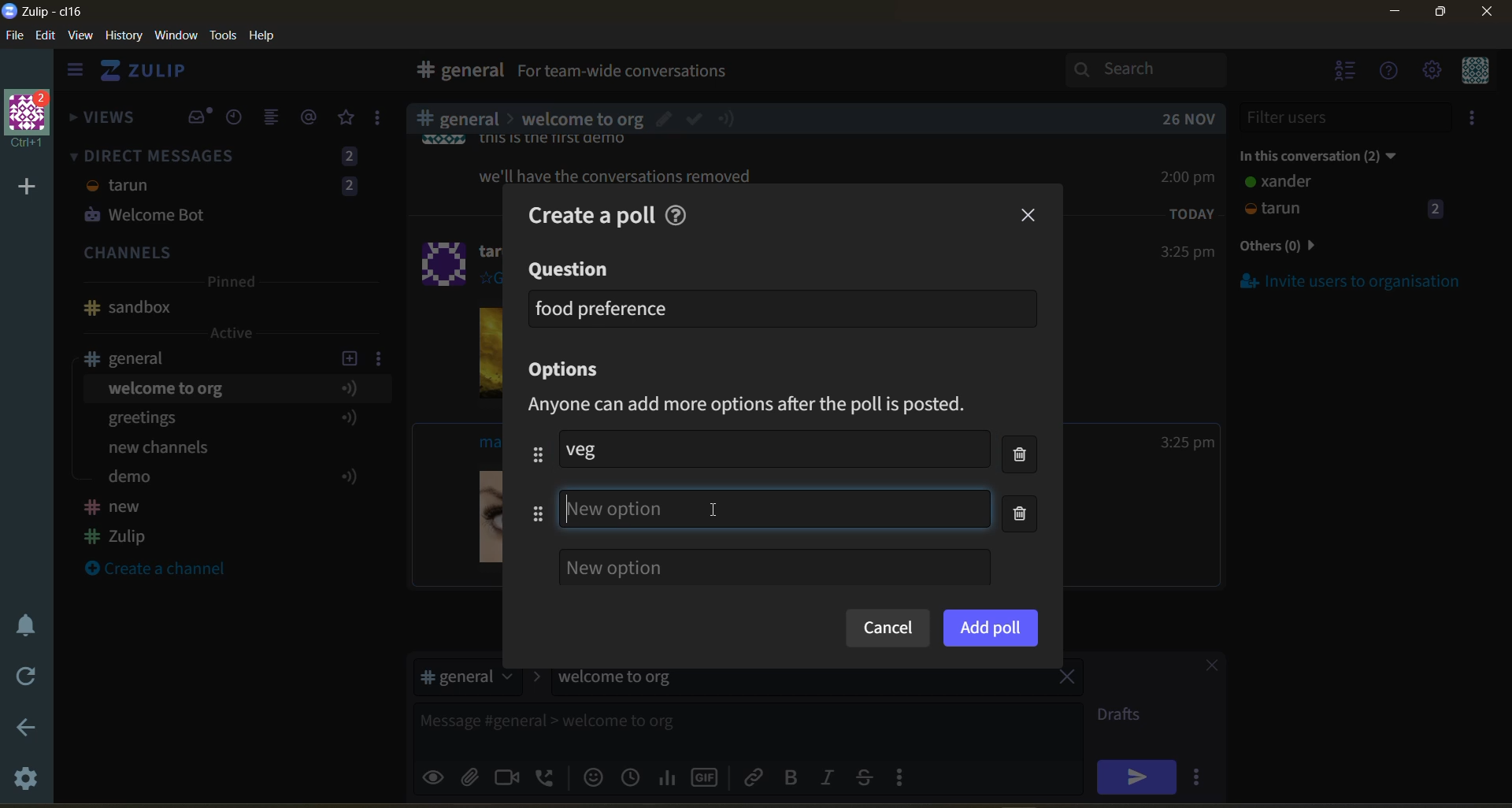 This screenshot has height=808, width=1512. I want to click on others, so click(1303, 247).